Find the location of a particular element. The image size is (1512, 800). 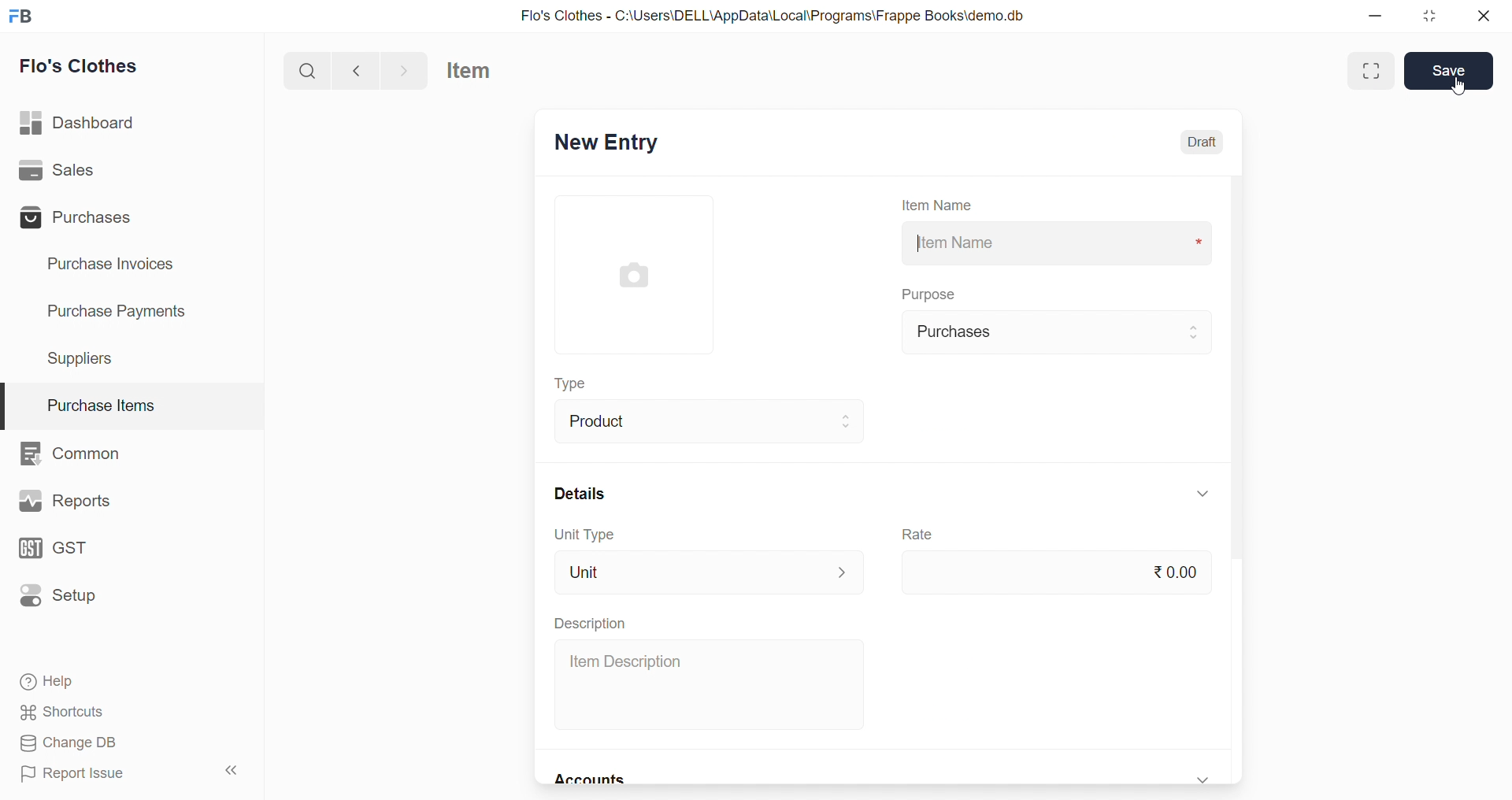

Details is located at coordinates (576, 493).